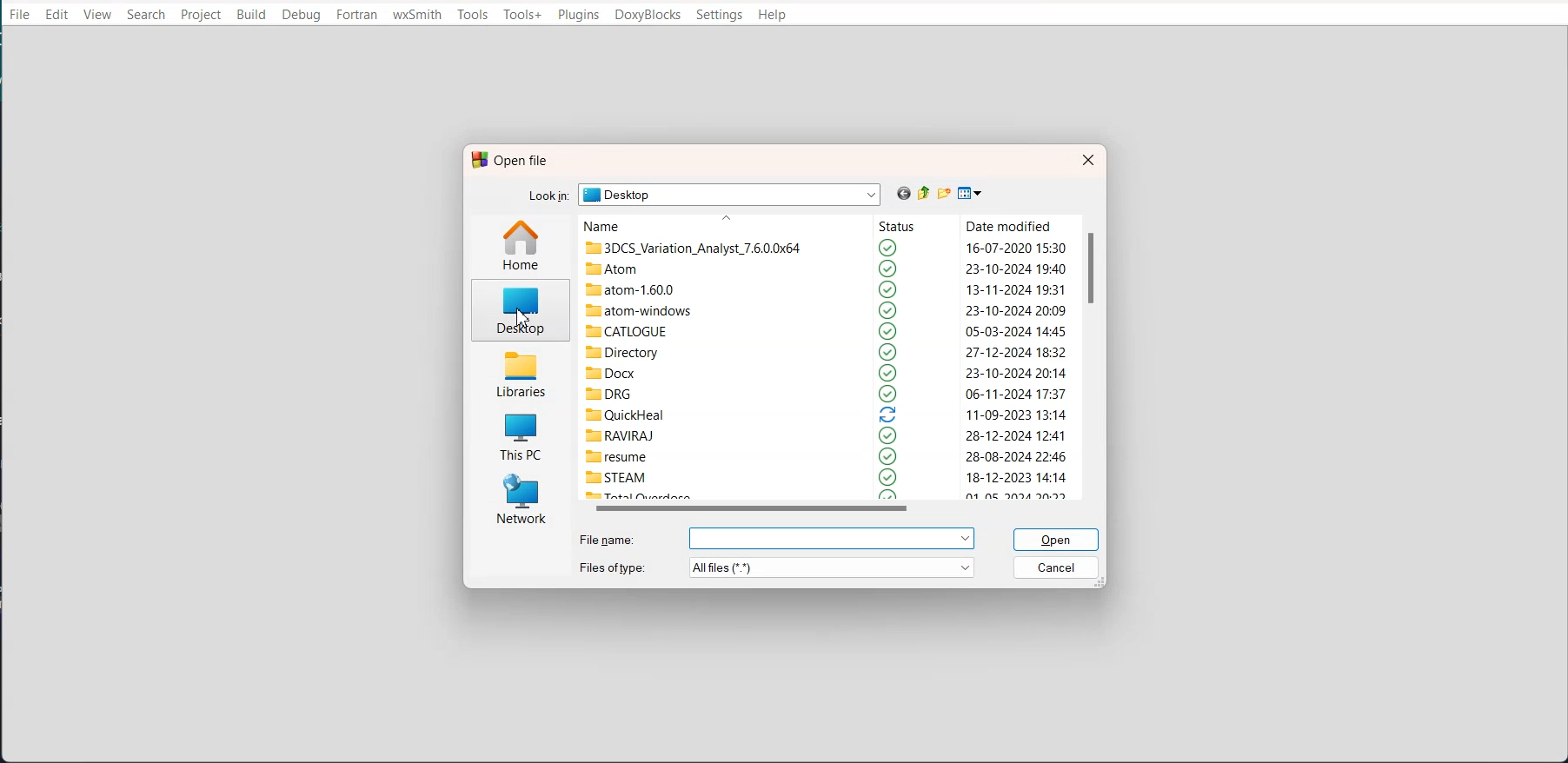  Describe the element at coordinates (1058, 567) in the screenshot. I see `Cancel` at that location.